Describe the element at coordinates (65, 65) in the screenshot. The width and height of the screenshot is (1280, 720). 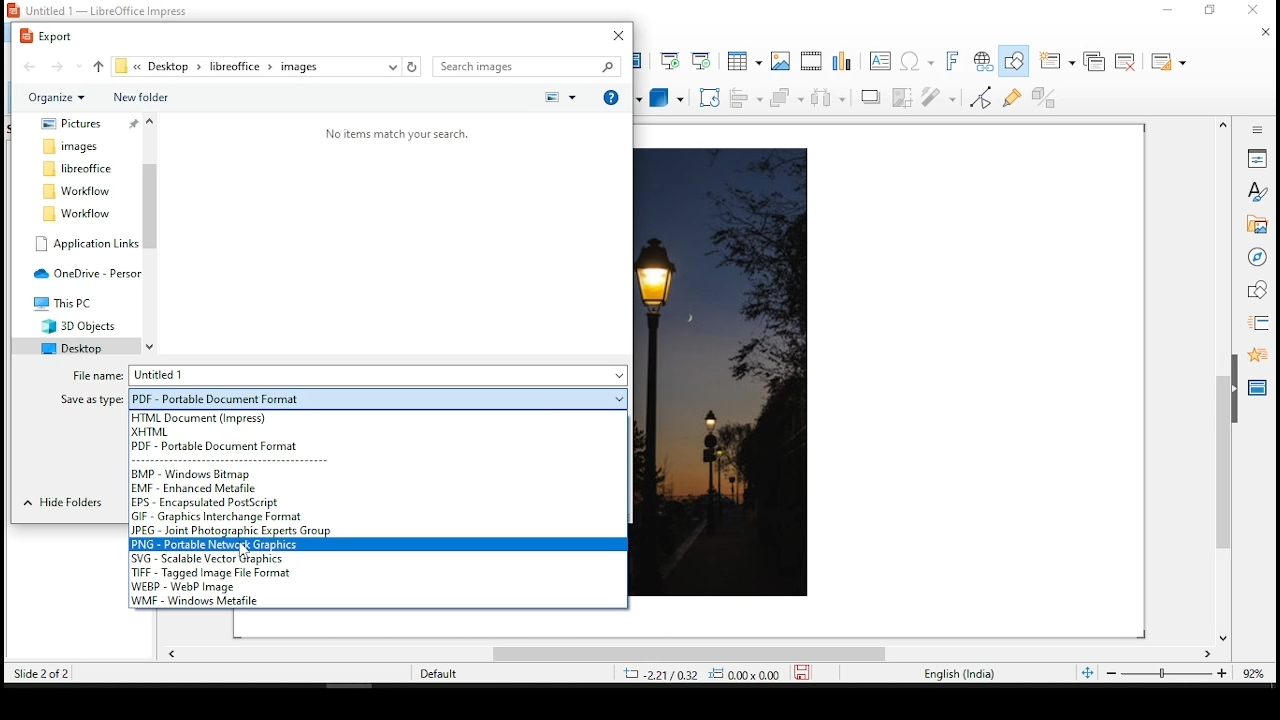
I see `forward` at that location.